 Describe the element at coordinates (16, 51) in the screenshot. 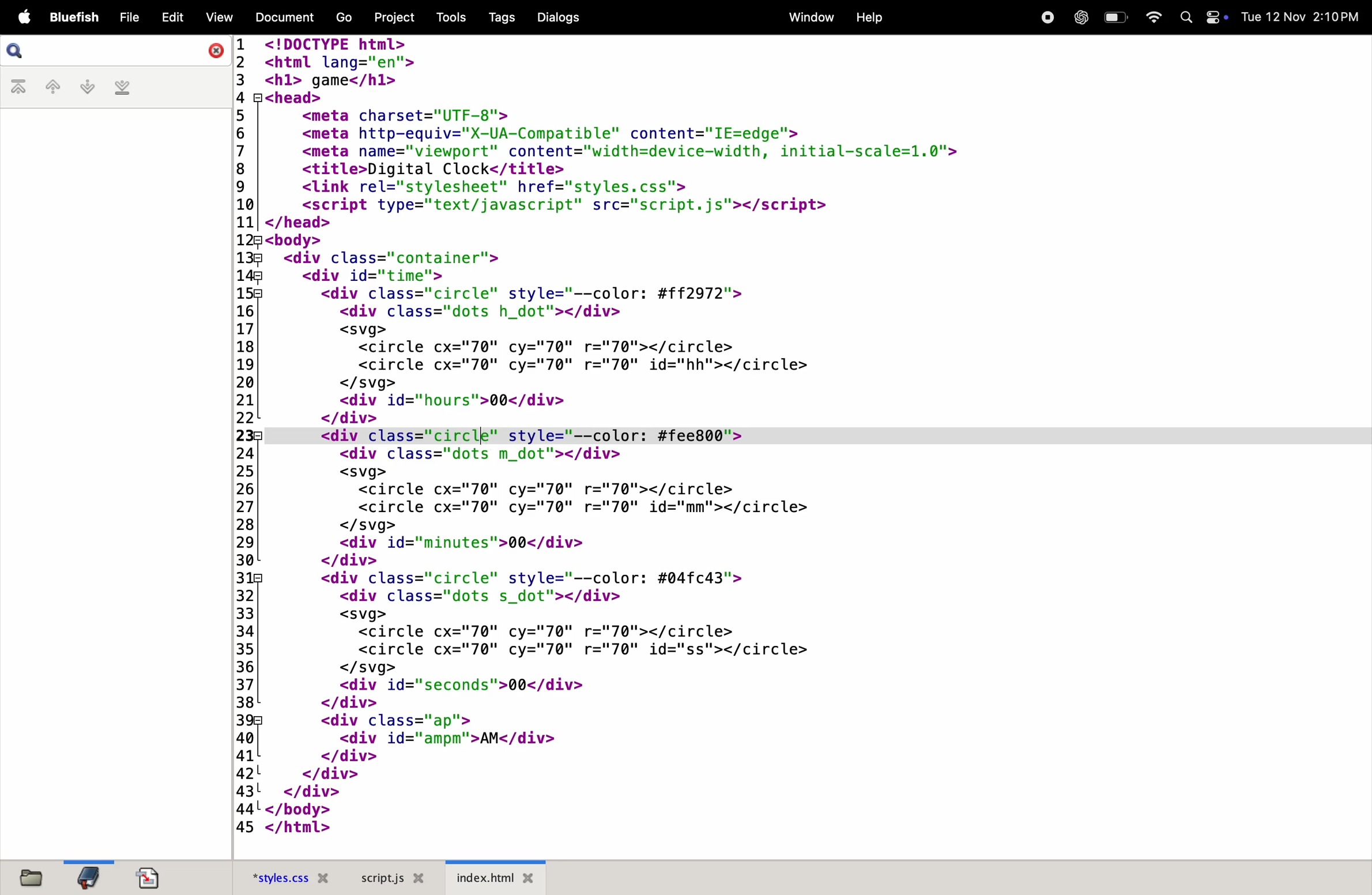

I see `search bar` at that location.